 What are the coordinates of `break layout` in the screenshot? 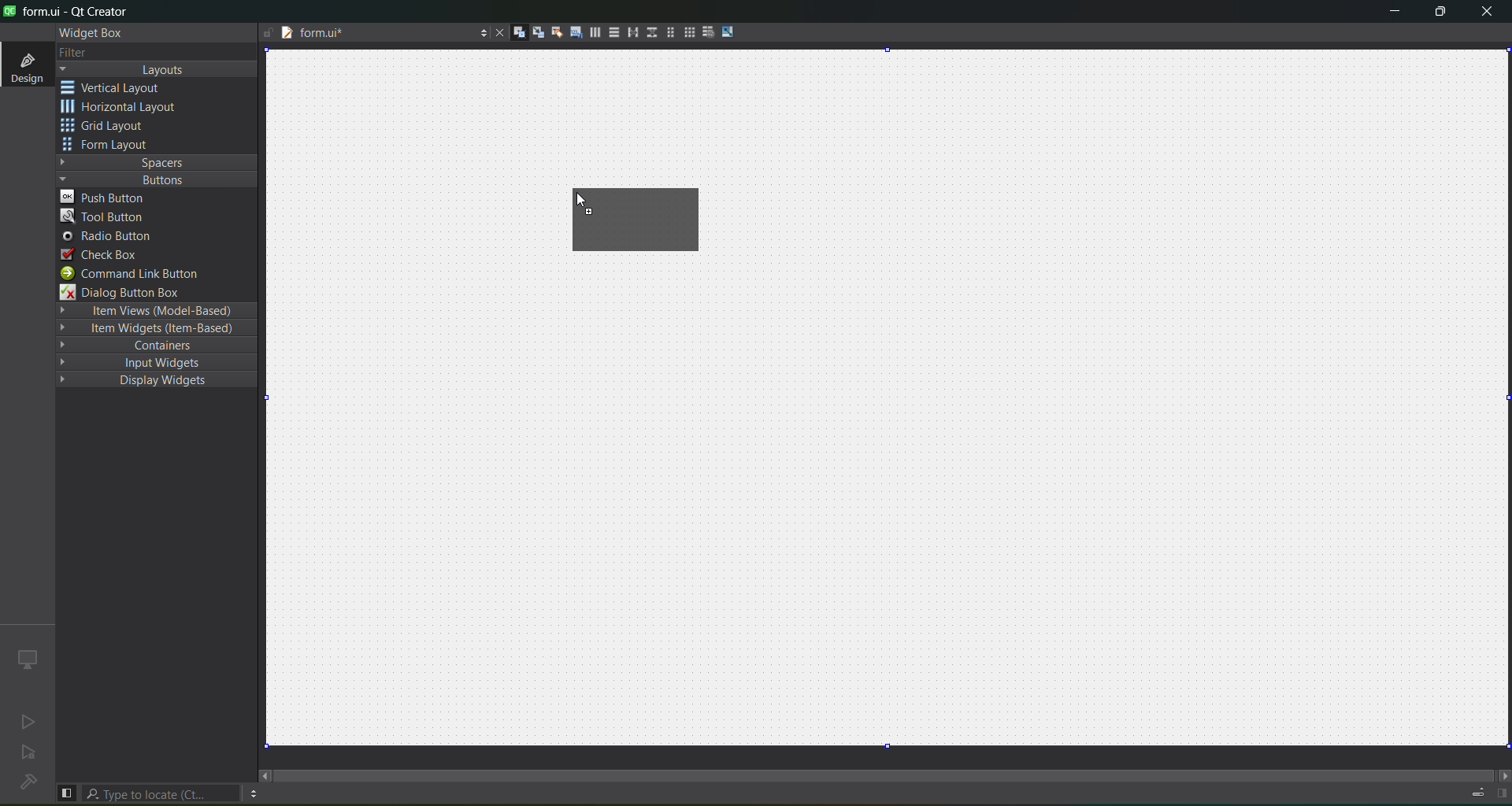 It's located at (708, 31).